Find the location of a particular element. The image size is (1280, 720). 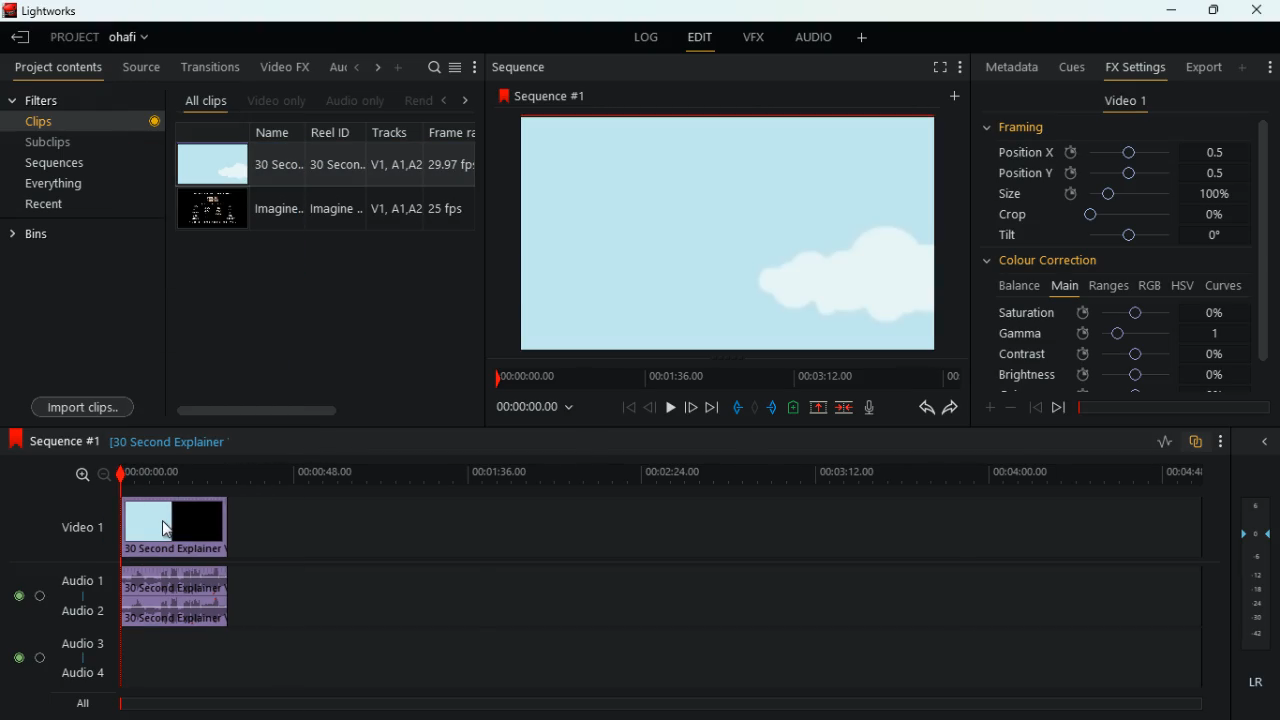

import clips is located at coordinates (86, 404).